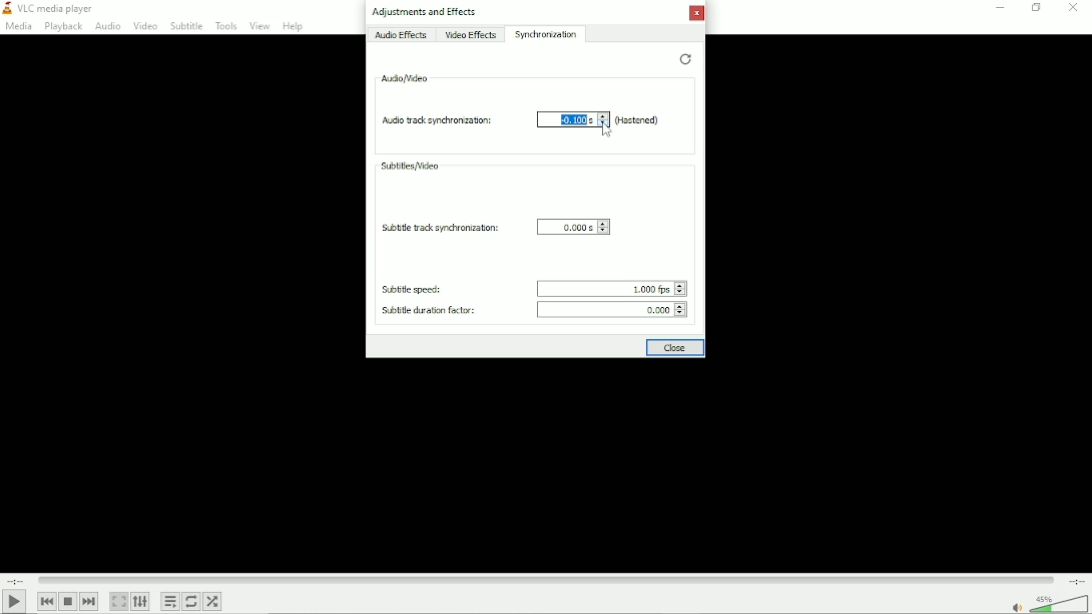  What do you see at coordinates (696, 14) in the screenshot?
I see `Close` at bounding box center [696, 14].